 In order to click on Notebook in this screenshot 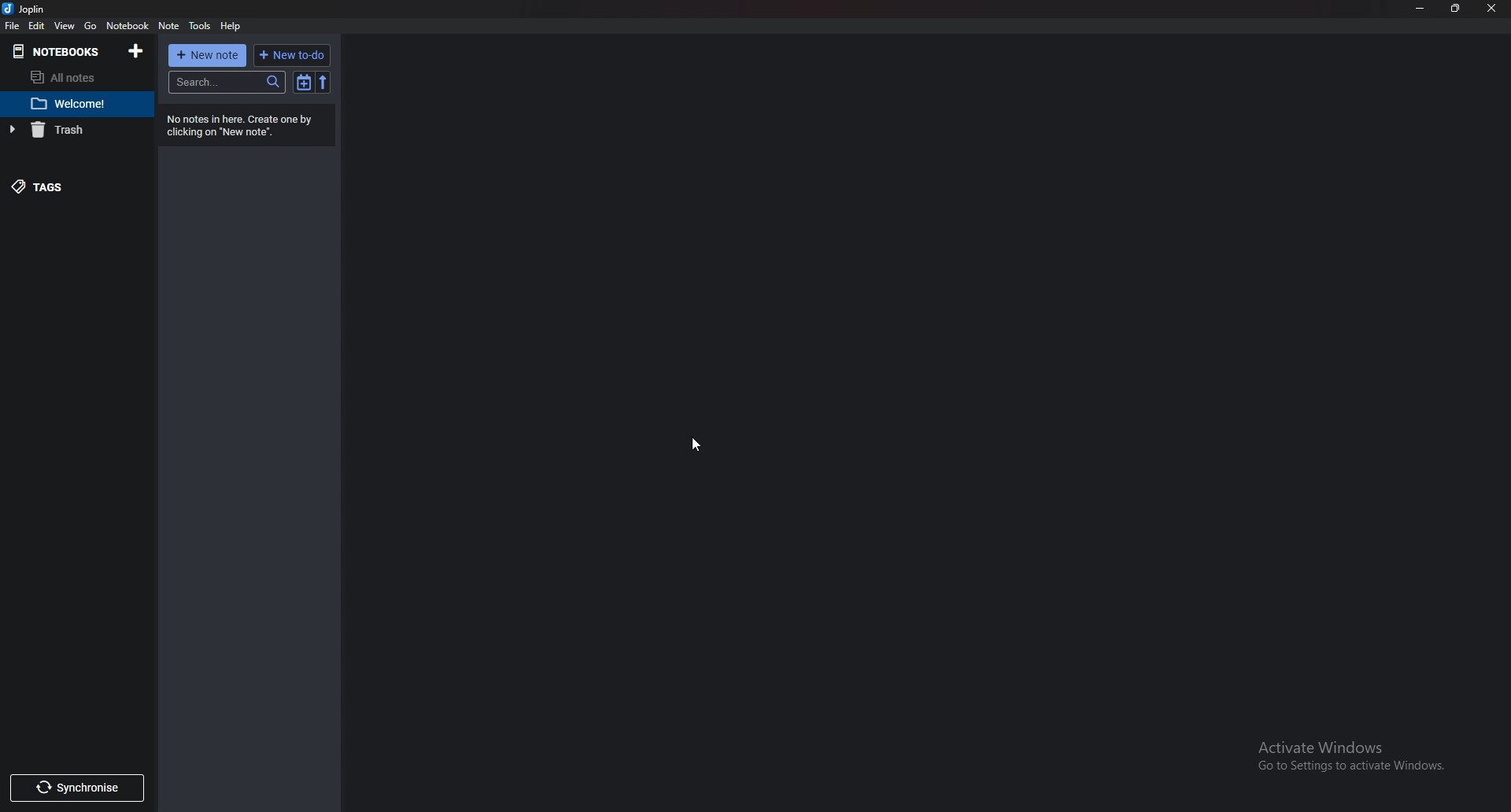, I will do `click(57, 54)`.